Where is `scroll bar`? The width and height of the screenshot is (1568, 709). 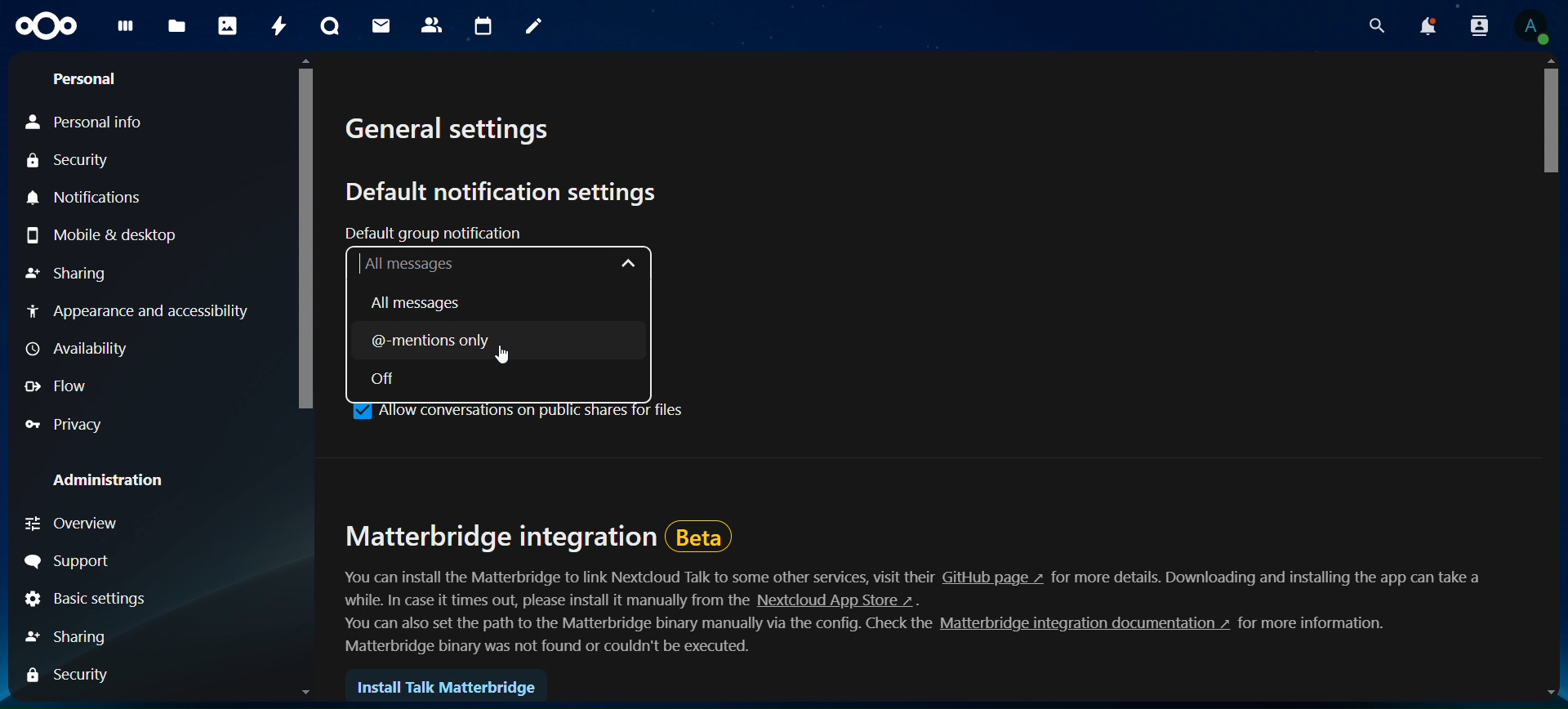
scroll bar is located at coordinates (305, 376).